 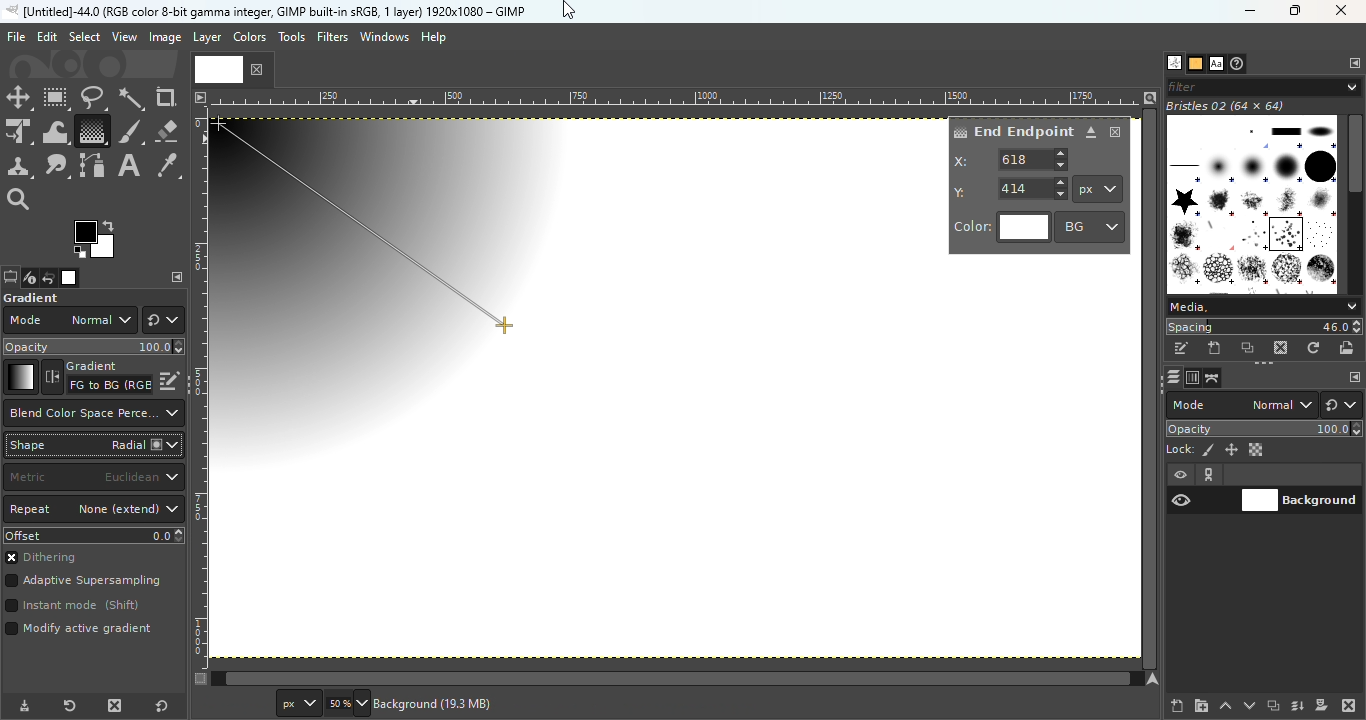 What do you see at coordinates (57, 99) in the screenshot?
I see `Rectangle select tool` at bounding box center [57, 99].